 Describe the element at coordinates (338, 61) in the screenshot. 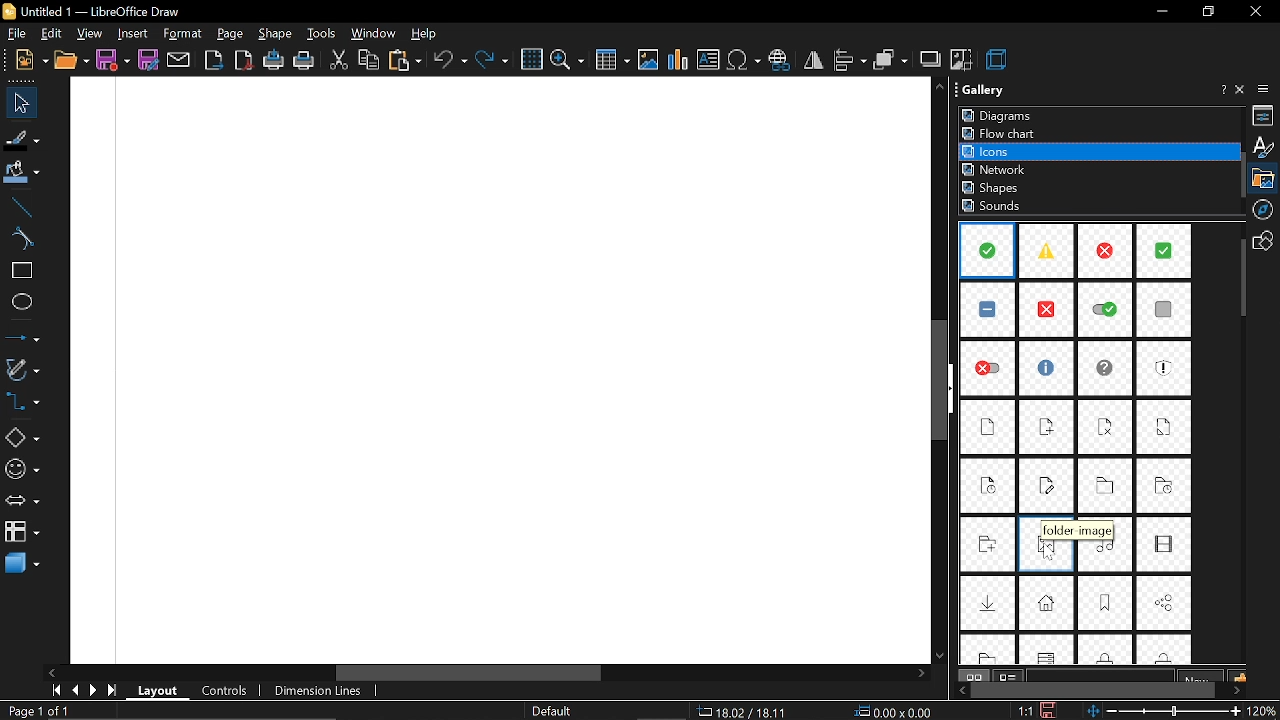

I see `cut` at that location.